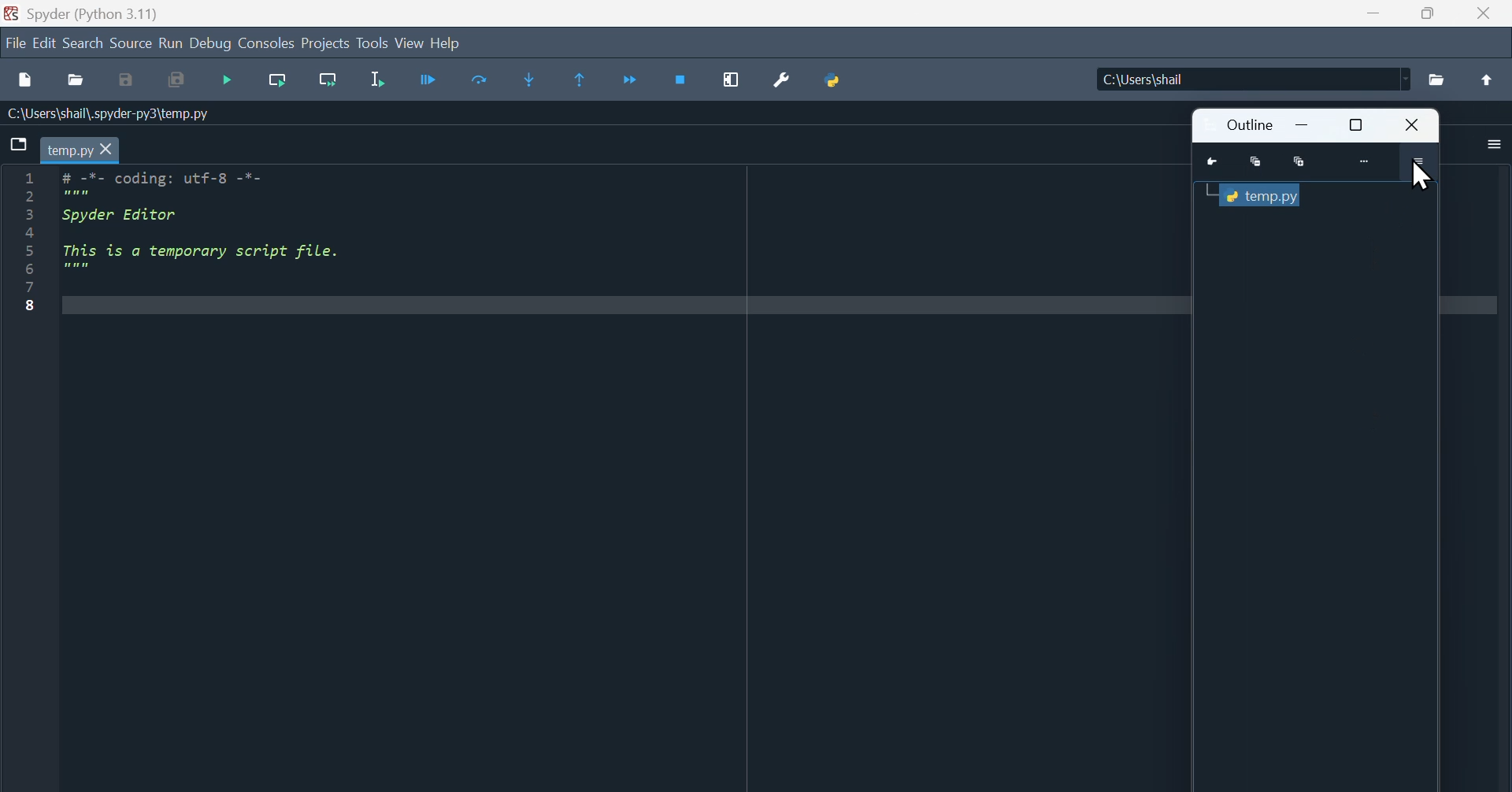 This screenshot has height=792, width=1512. I want to click on cursor, so click(1423, 176).